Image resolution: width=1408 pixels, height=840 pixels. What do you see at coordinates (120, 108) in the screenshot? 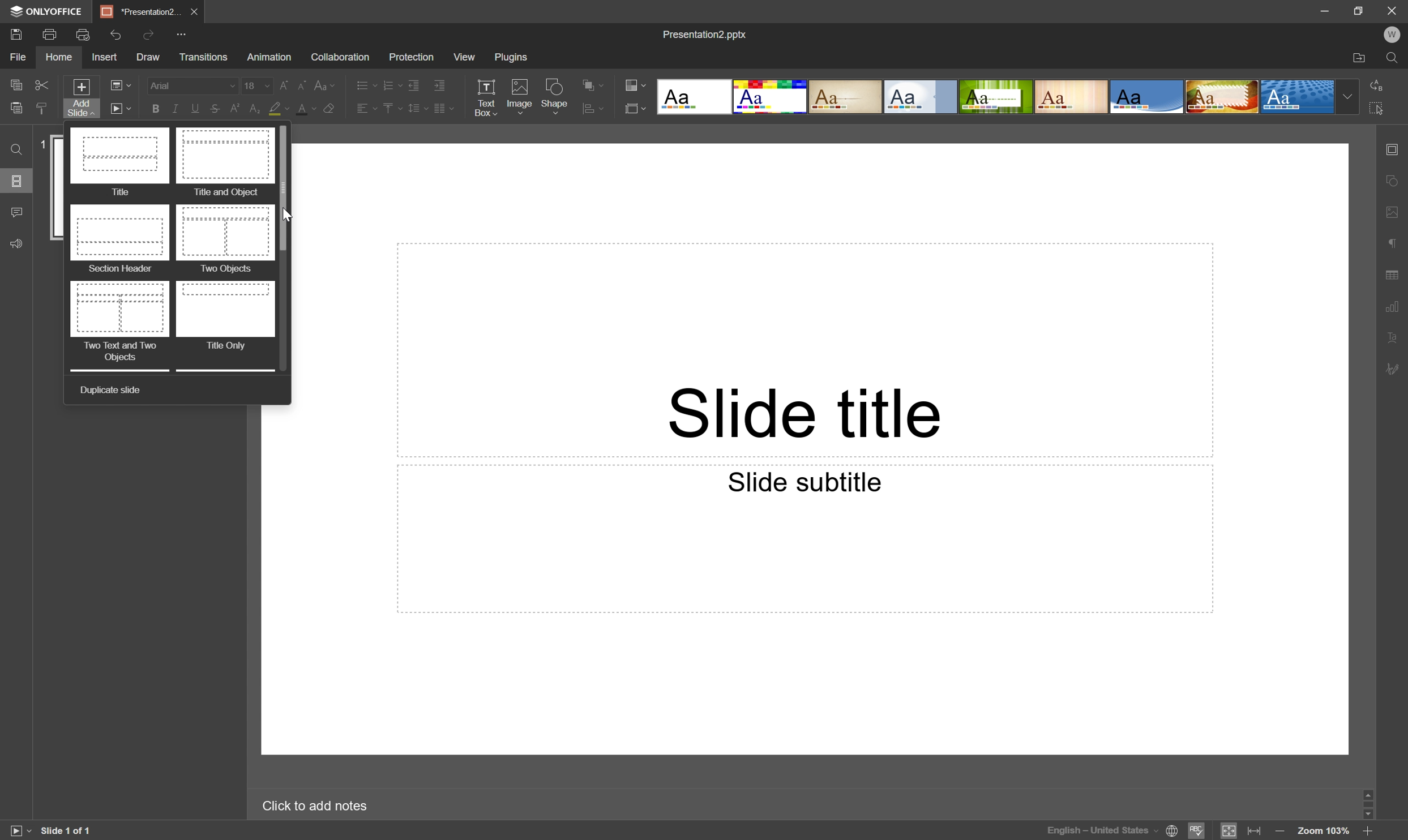
I see `Start slideshow` at bounding box center [120, 108].